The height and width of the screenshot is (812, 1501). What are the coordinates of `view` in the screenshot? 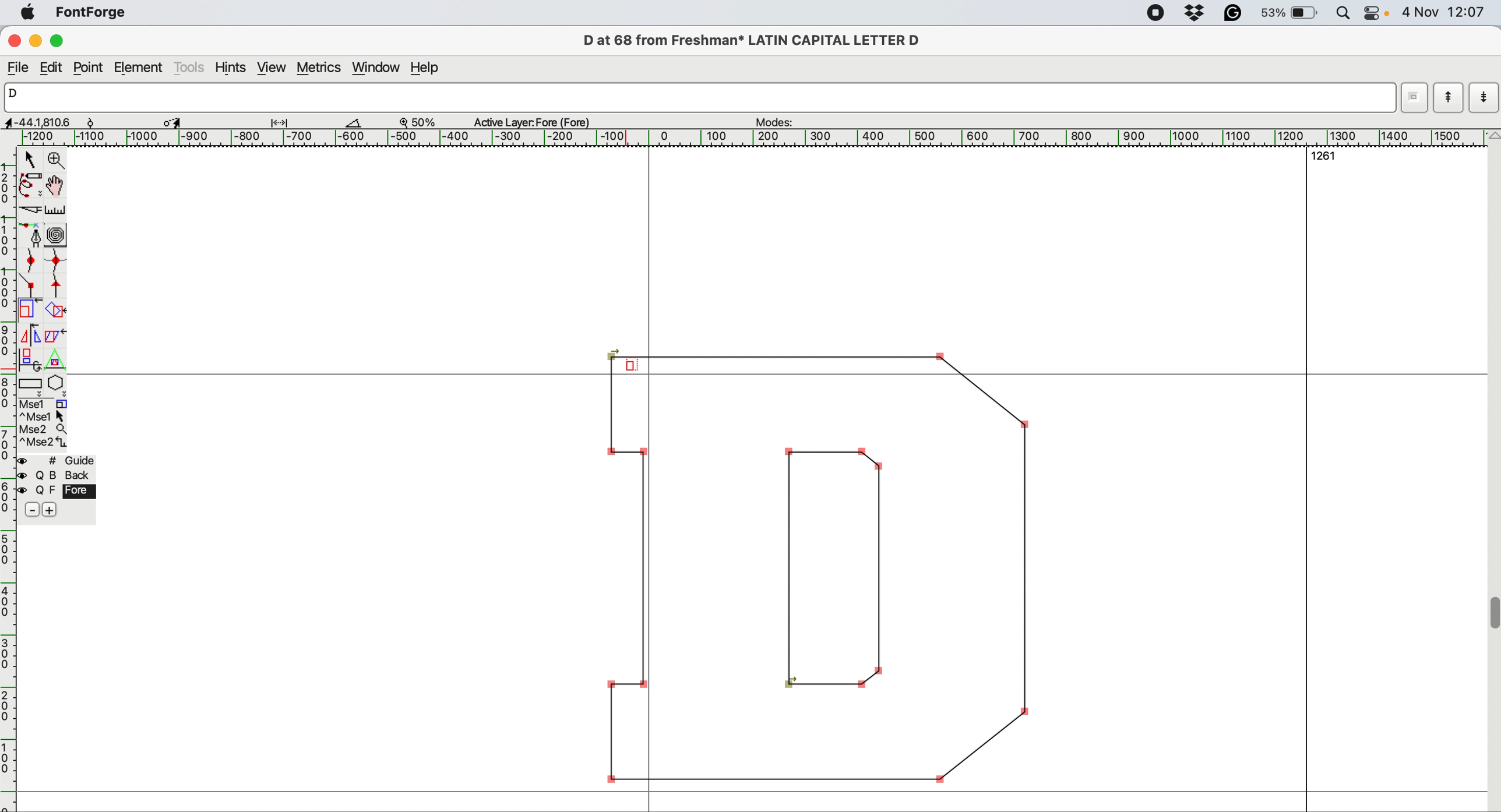 It's located at (272, 68).